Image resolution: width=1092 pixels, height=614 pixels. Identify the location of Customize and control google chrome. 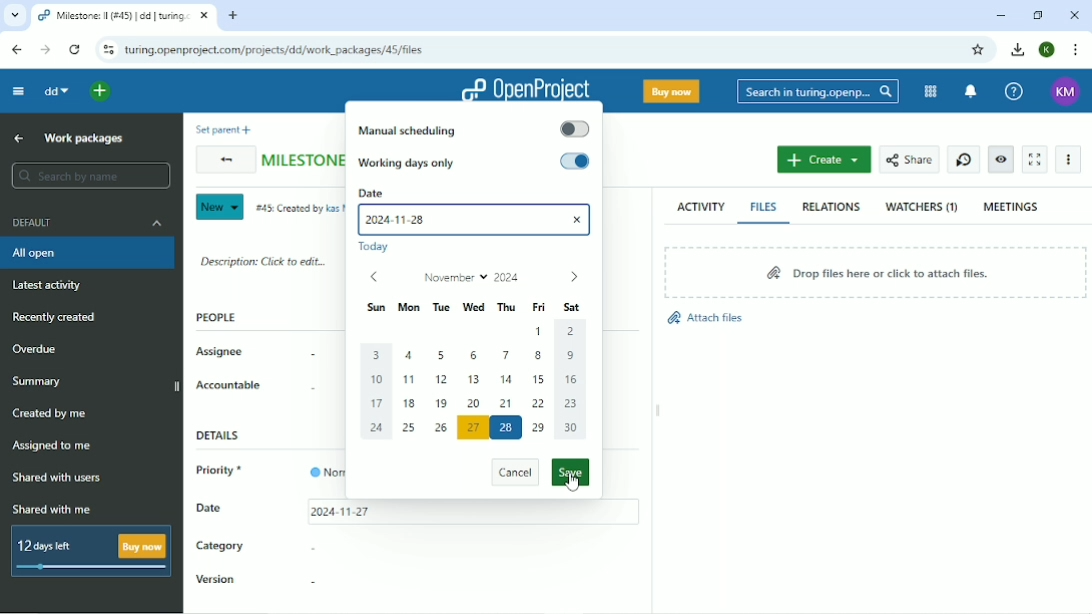
(1076, 49).